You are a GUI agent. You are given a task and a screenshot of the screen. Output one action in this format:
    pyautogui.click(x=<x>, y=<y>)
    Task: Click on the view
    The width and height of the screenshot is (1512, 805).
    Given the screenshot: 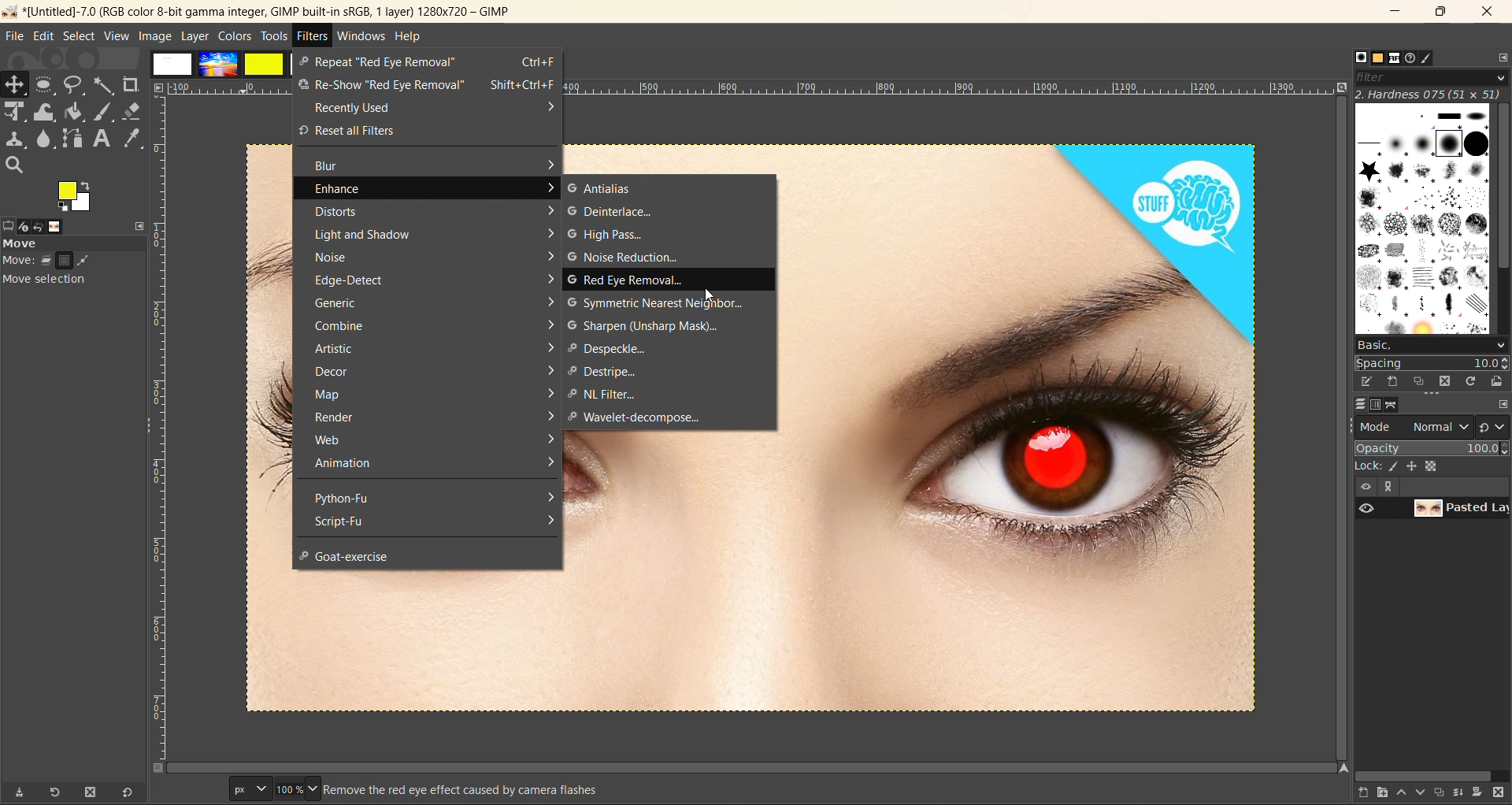 What is the action you would take?
    pyautogui.click(x=1362, y=487)
    